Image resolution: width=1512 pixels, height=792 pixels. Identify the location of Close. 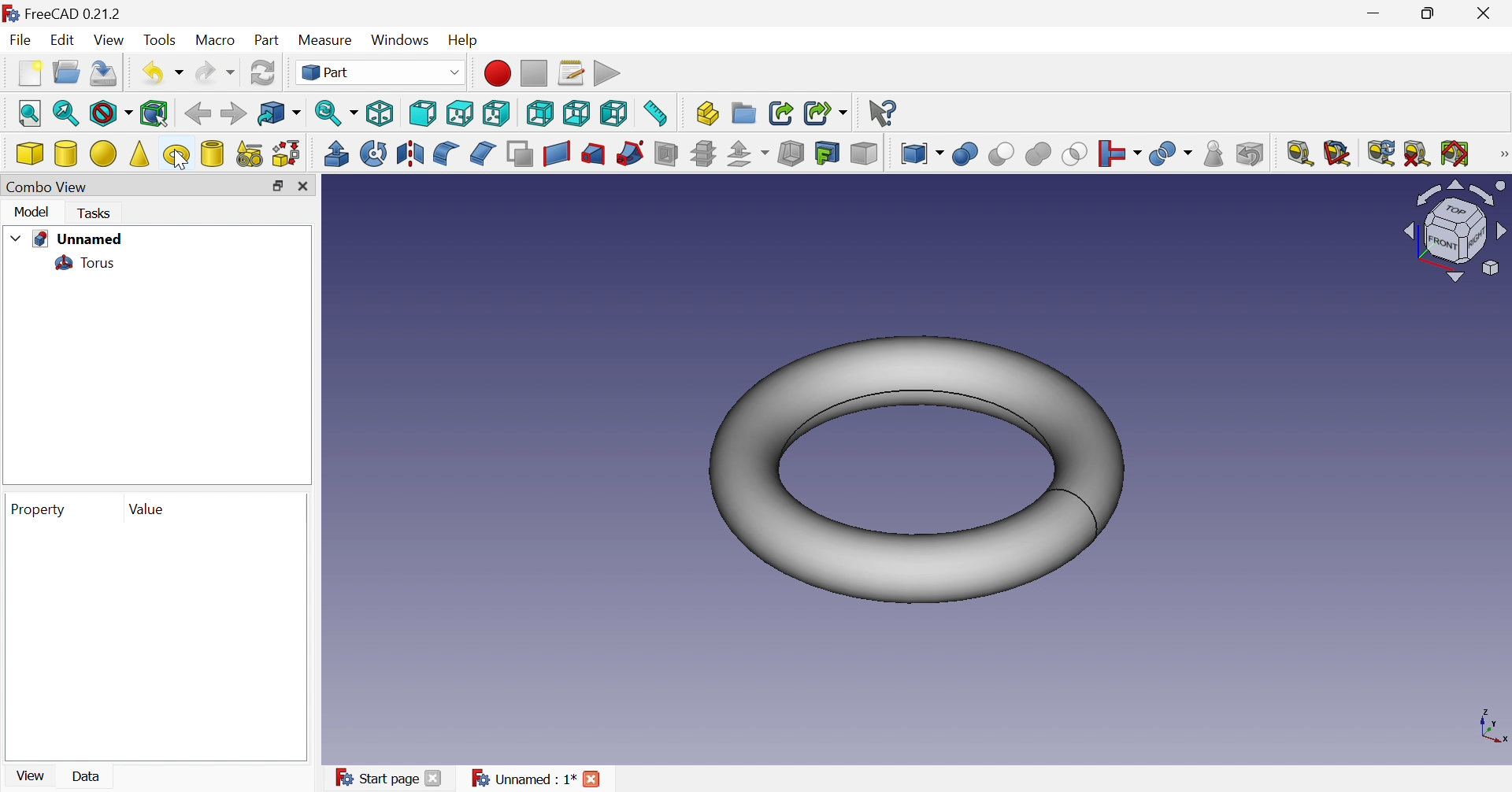
(303, 187).